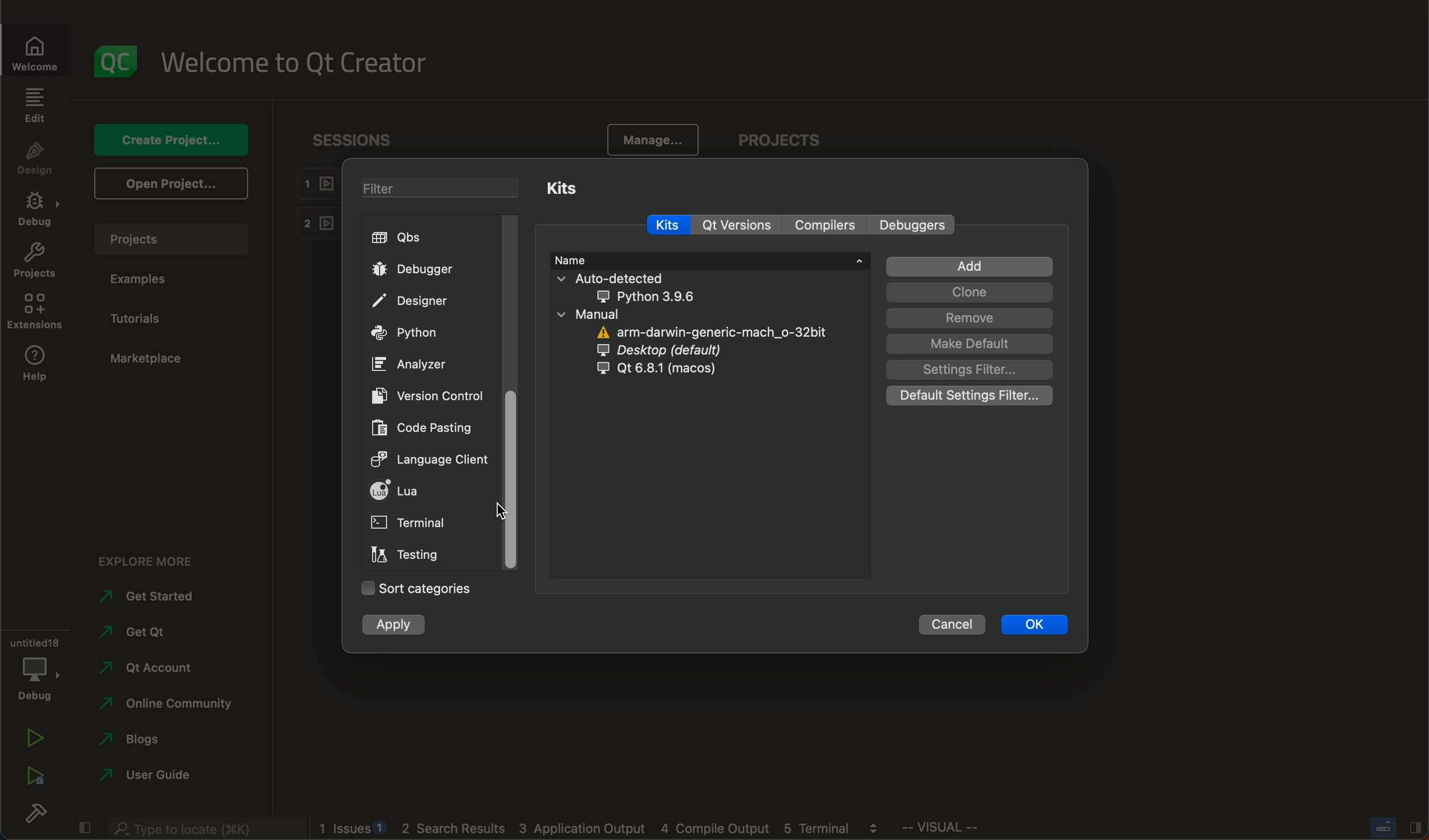 The width and height of the screenshot is (1429, 840). What do you see at coordinates (36, 312) in the screenshot?
I see `extensions` at bounding box center [36, 312].